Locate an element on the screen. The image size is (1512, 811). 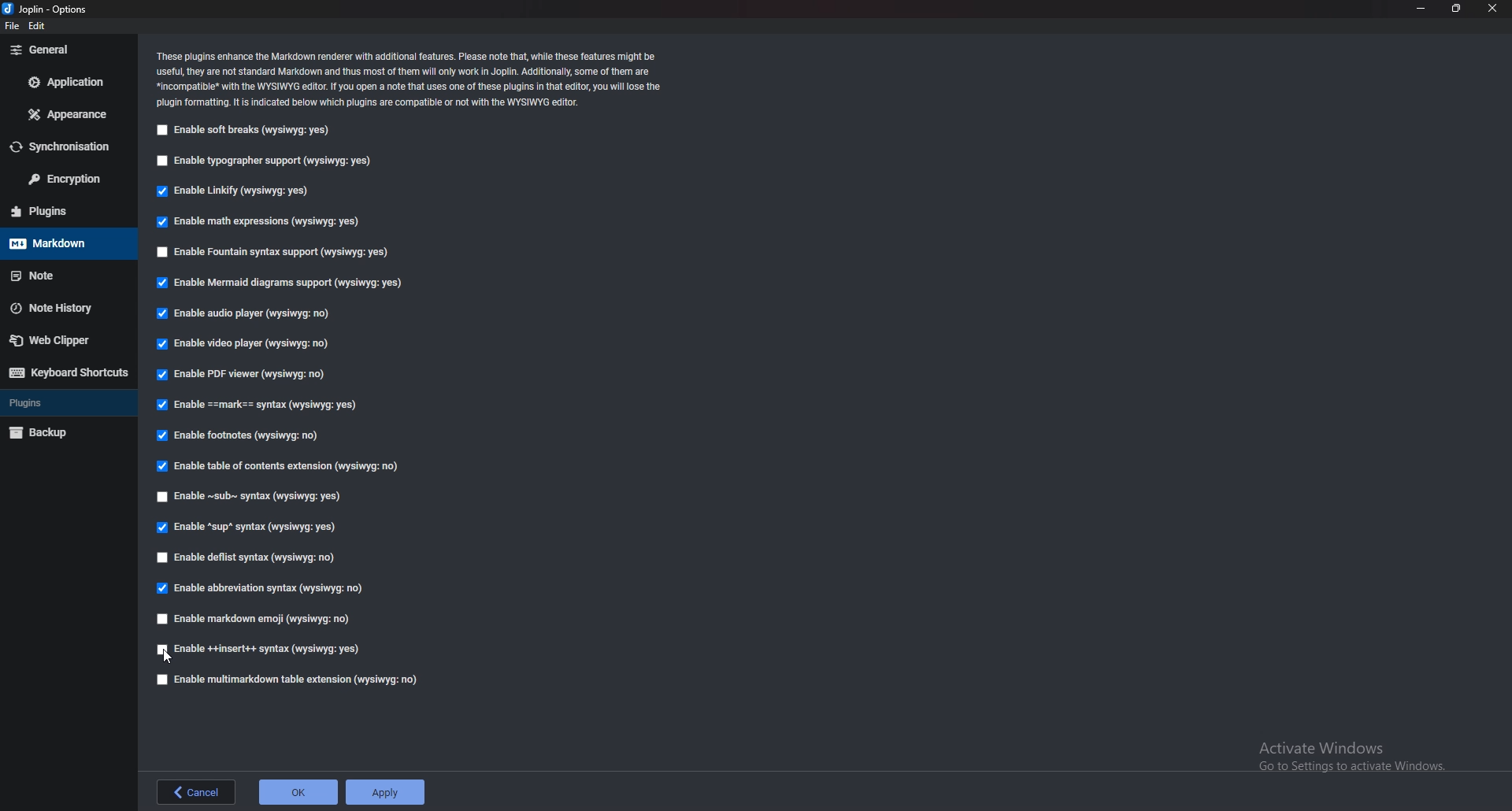
Enable footnotes (wysiwyg: no) is located at coordinates (244, 434).